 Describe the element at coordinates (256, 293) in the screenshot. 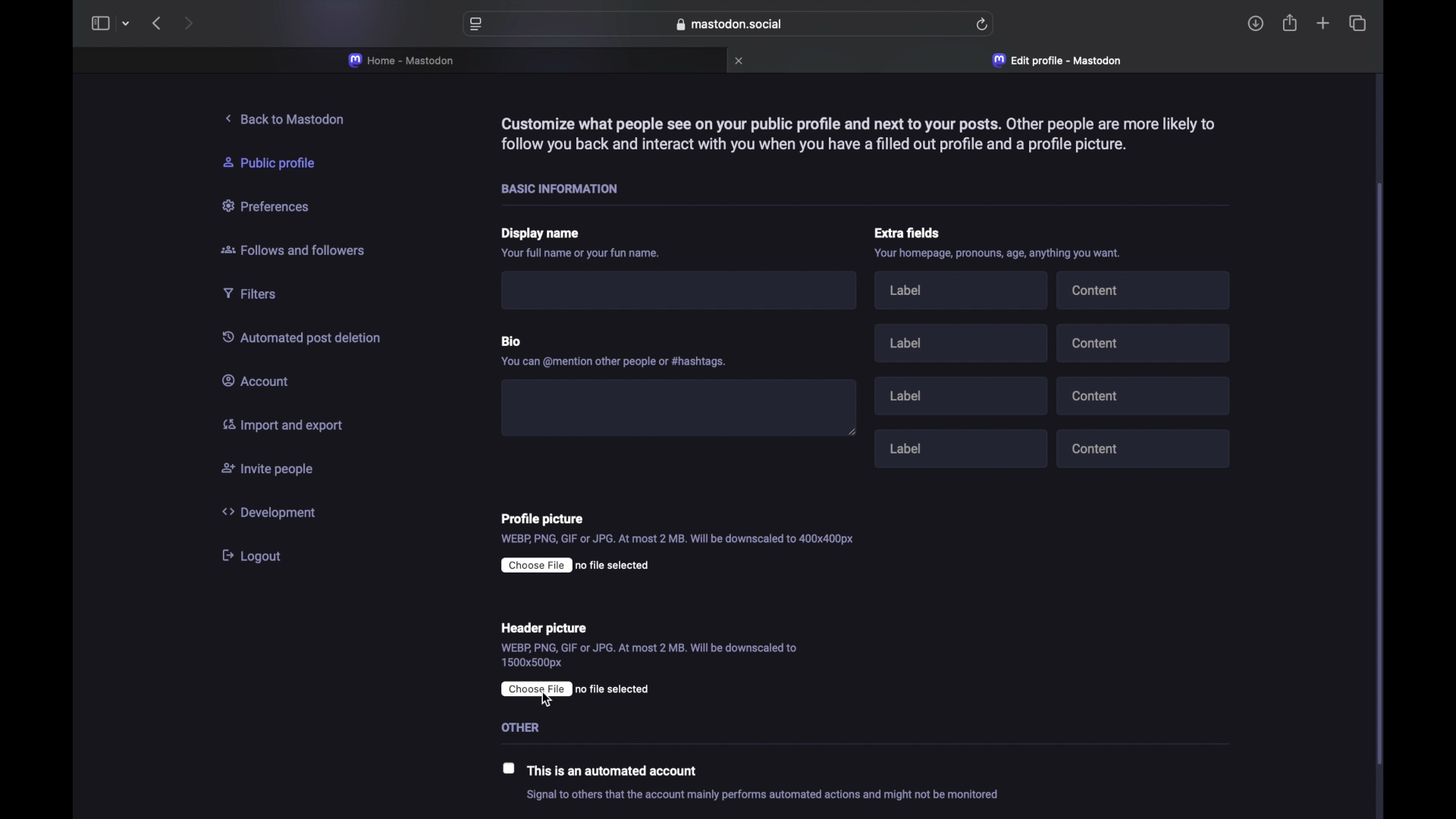

I see `filters` at that location.